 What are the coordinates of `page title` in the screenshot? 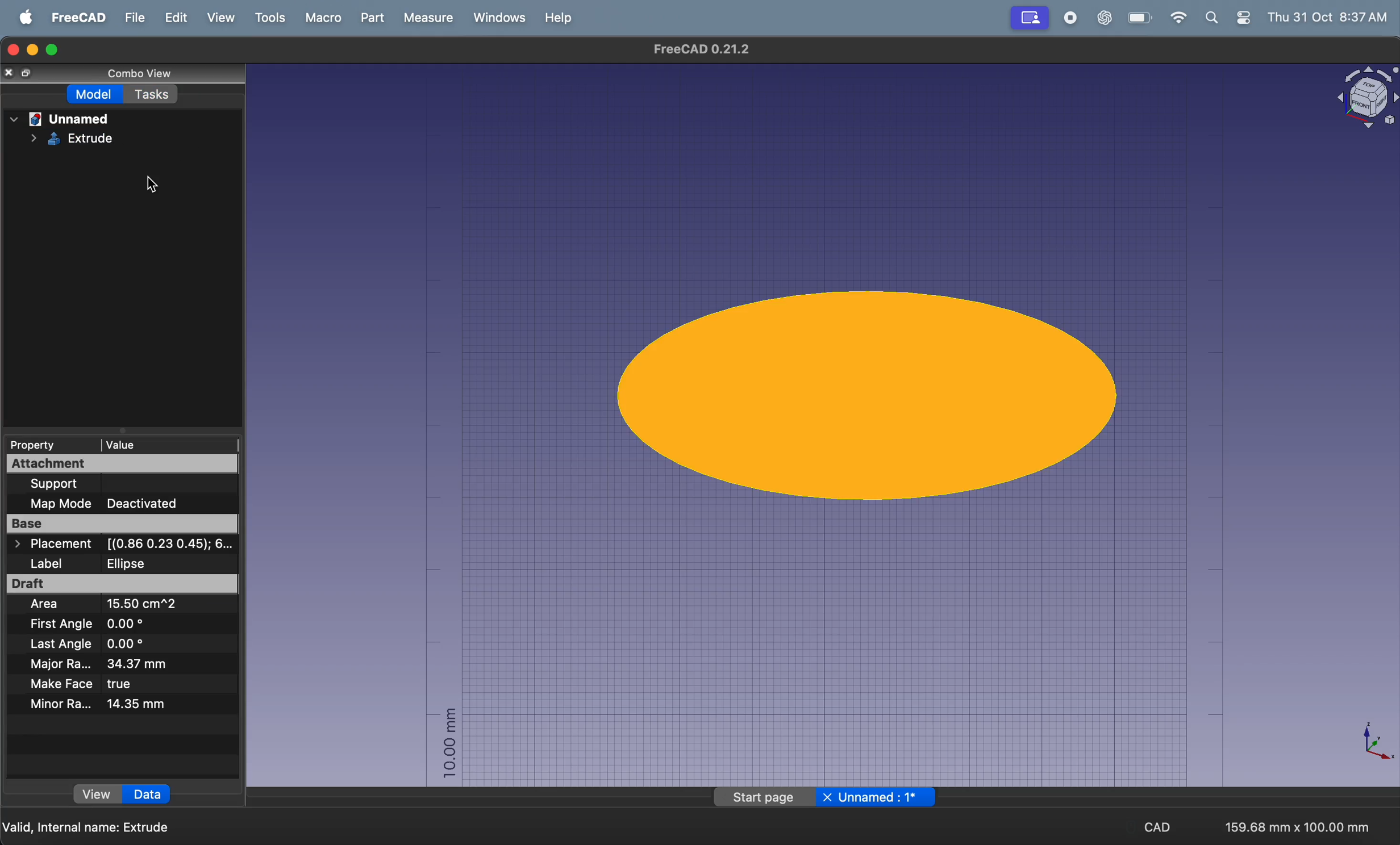 It's located at (697, 49).